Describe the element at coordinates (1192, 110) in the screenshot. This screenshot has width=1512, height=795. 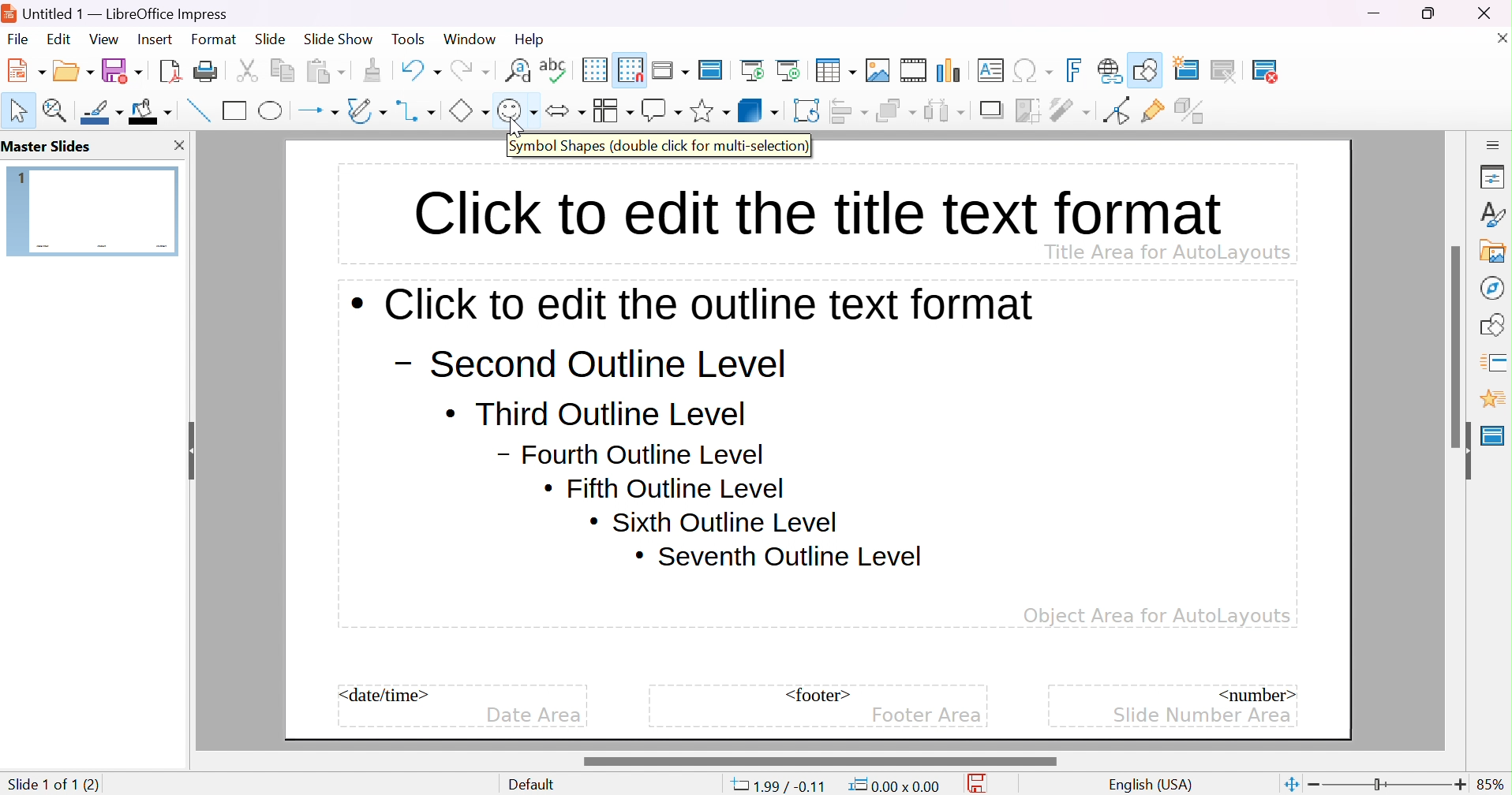
I see `toggle extrusion` at that location.